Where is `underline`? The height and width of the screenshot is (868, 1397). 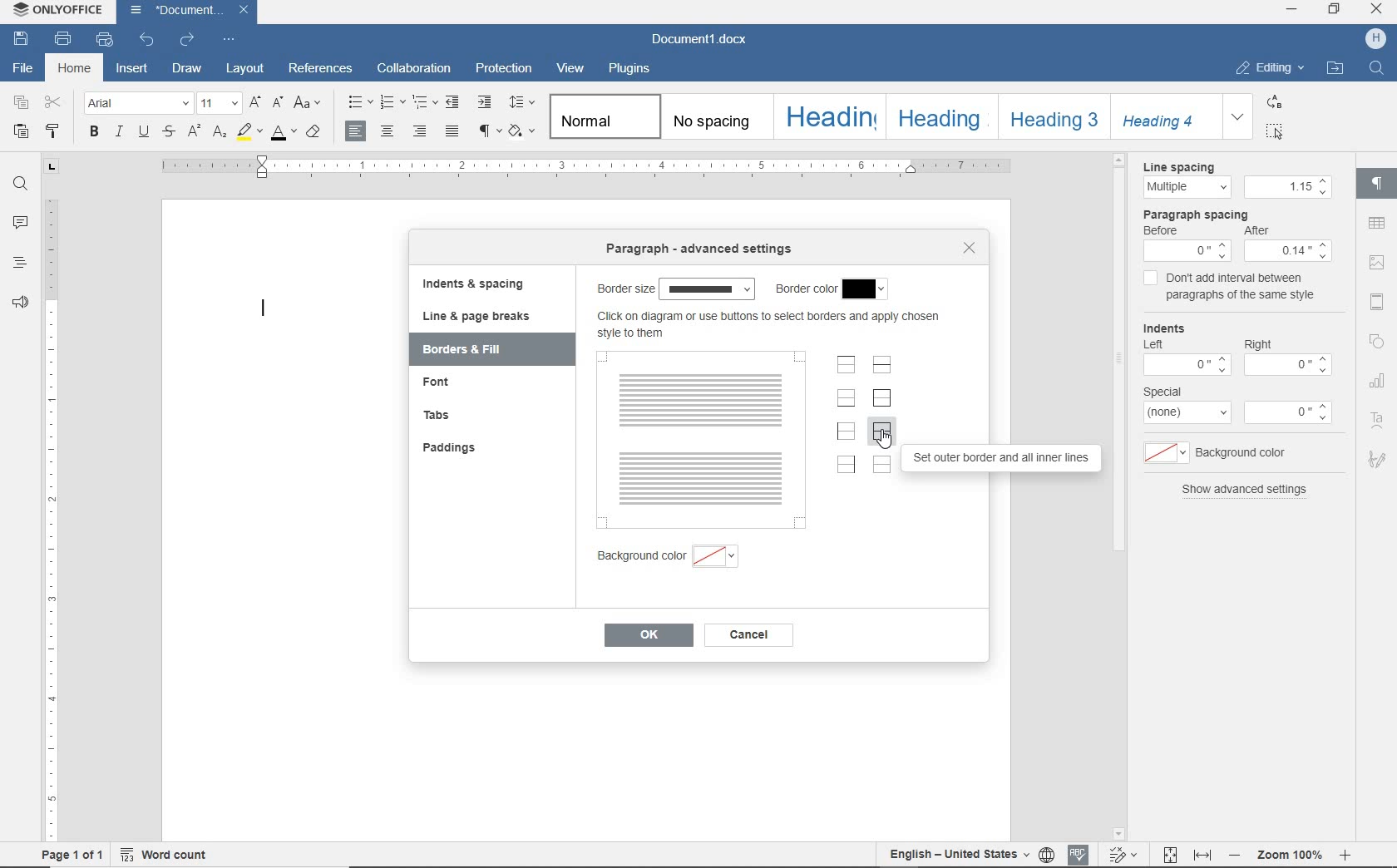 underline is located at coordinates (144, 134).